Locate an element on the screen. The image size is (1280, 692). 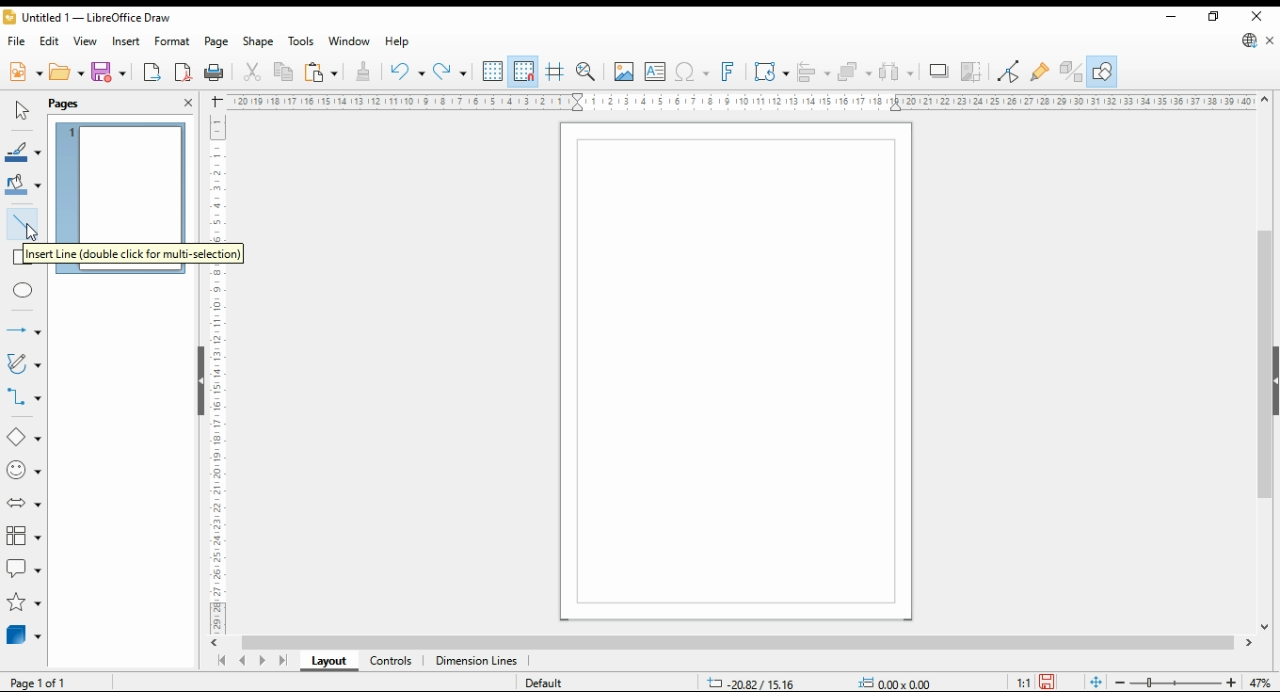
show gluepoint functions is located at coordinates (1040, 71).